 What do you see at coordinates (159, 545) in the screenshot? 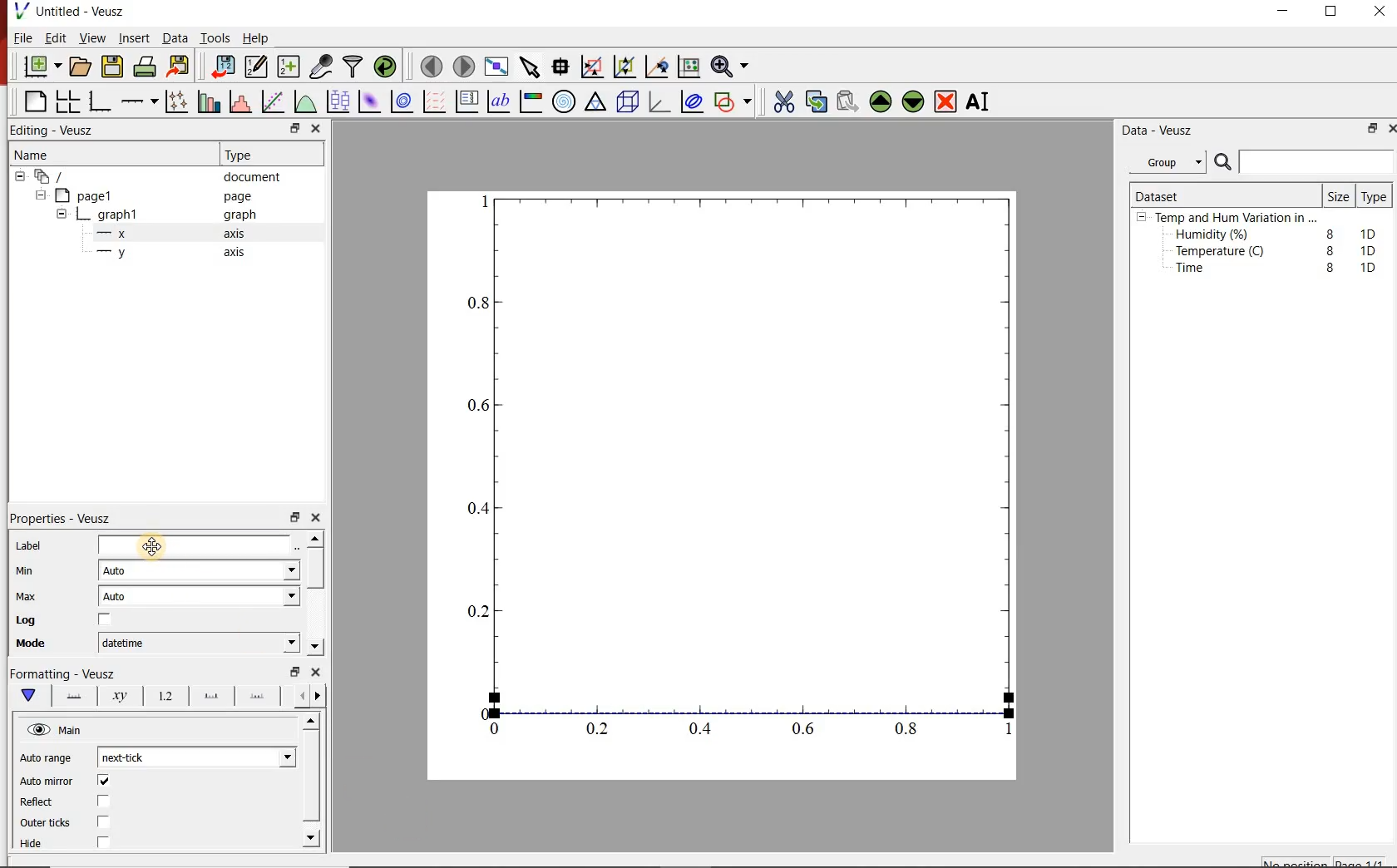
I see `Cursor` at bounding box center [159, 545].